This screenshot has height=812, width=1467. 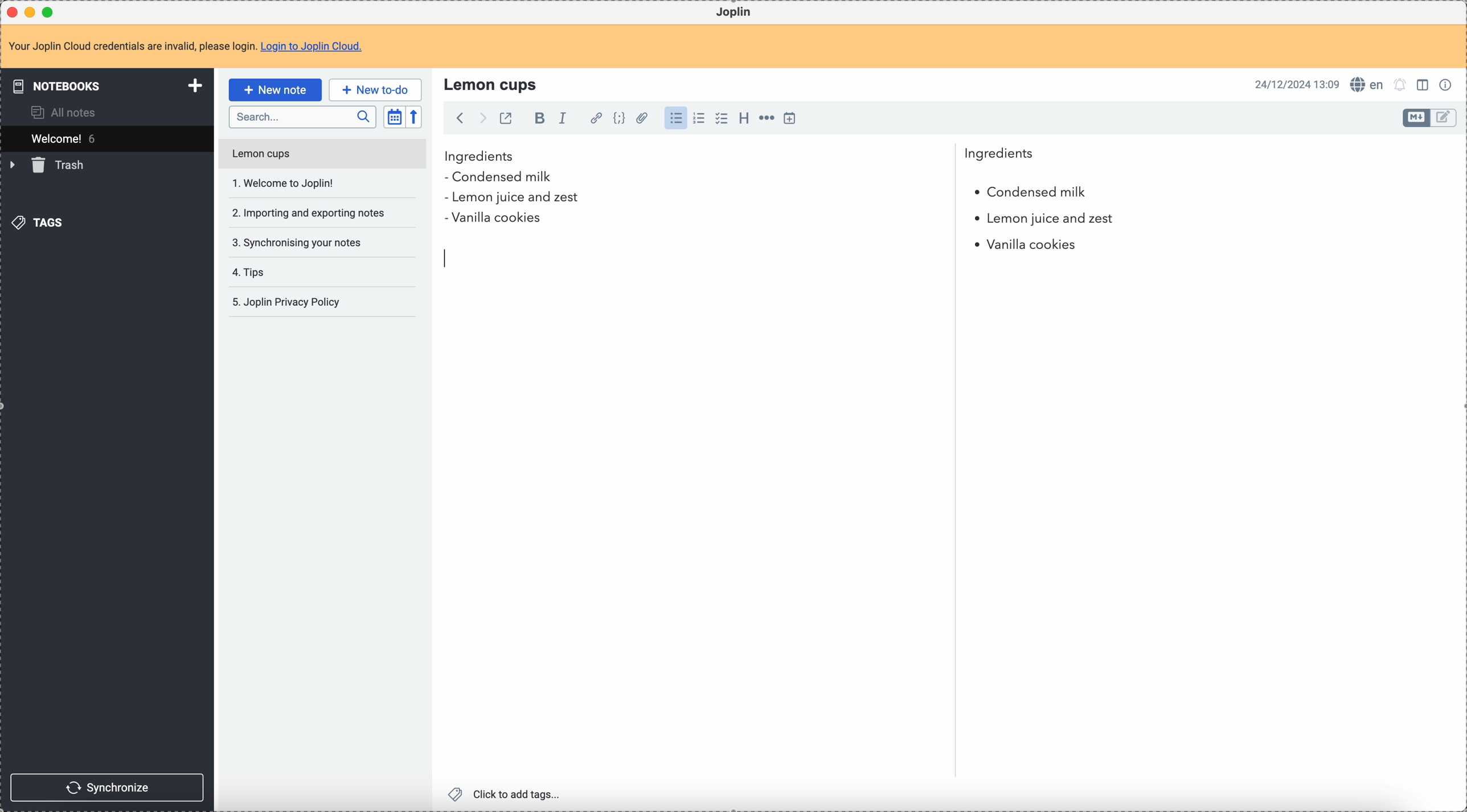 I want to click on search bar, so click(x=302, y=117).